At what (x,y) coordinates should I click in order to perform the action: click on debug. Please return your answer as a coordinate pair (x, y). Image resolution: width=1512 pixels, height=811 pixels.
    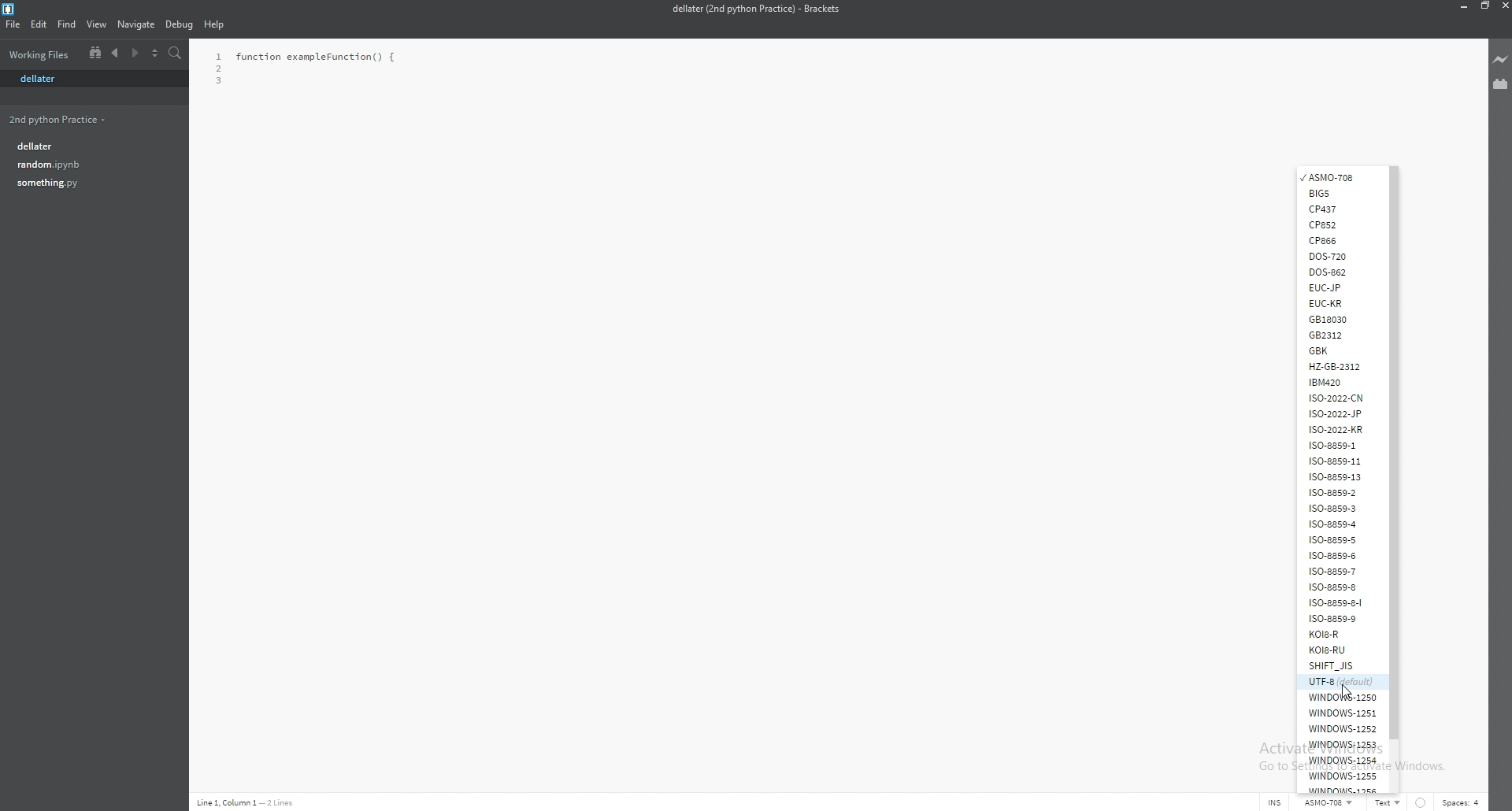
    Looking at the image, I should click on (180, 25).